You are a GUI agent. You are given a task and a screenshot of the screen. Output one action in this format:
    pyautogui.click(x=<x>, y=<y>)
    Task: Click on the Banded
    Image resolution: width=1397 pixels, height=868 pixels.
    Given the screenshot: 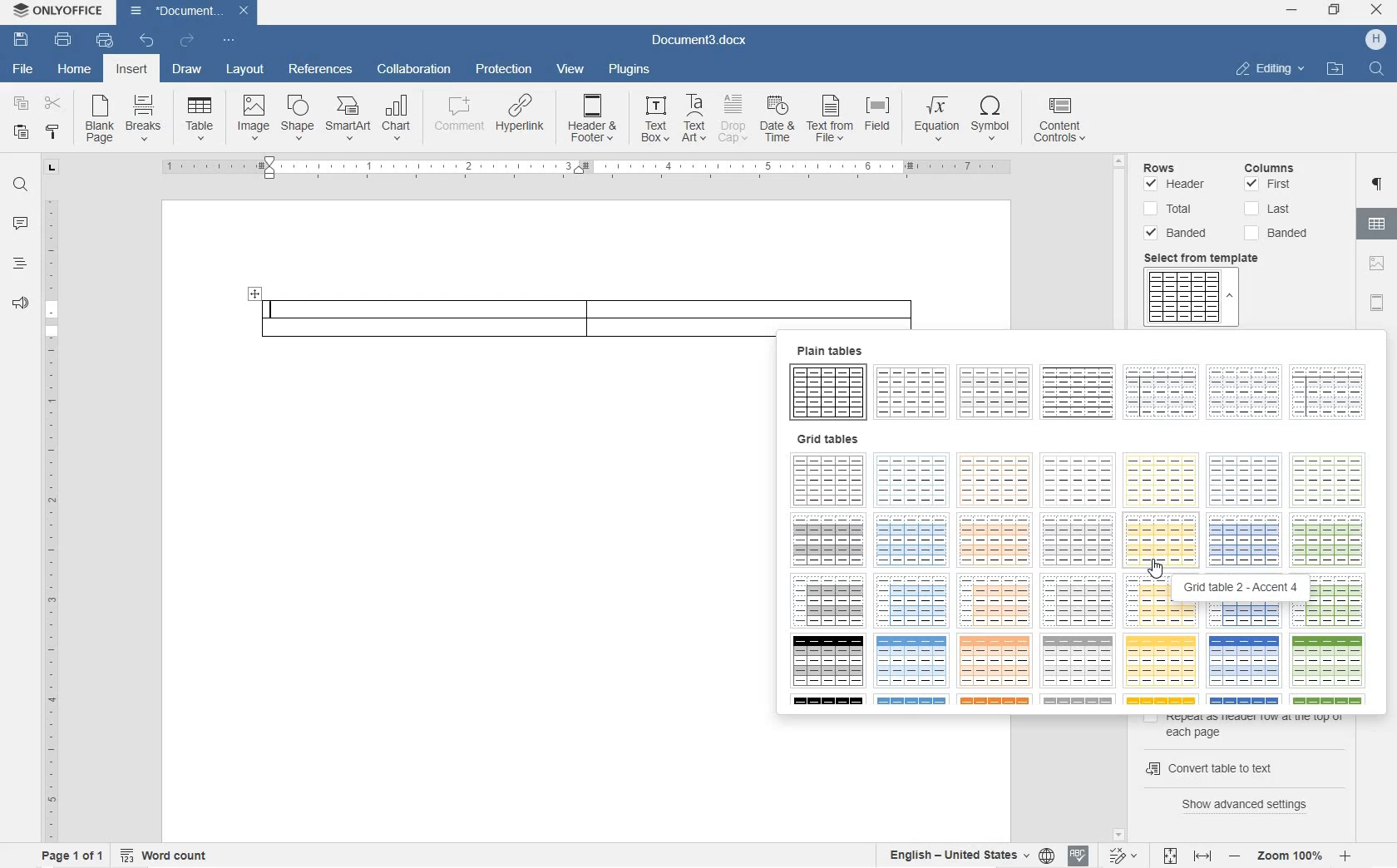 What is the action you would take?
    pyautogui.click(x=1281, y=233)
    